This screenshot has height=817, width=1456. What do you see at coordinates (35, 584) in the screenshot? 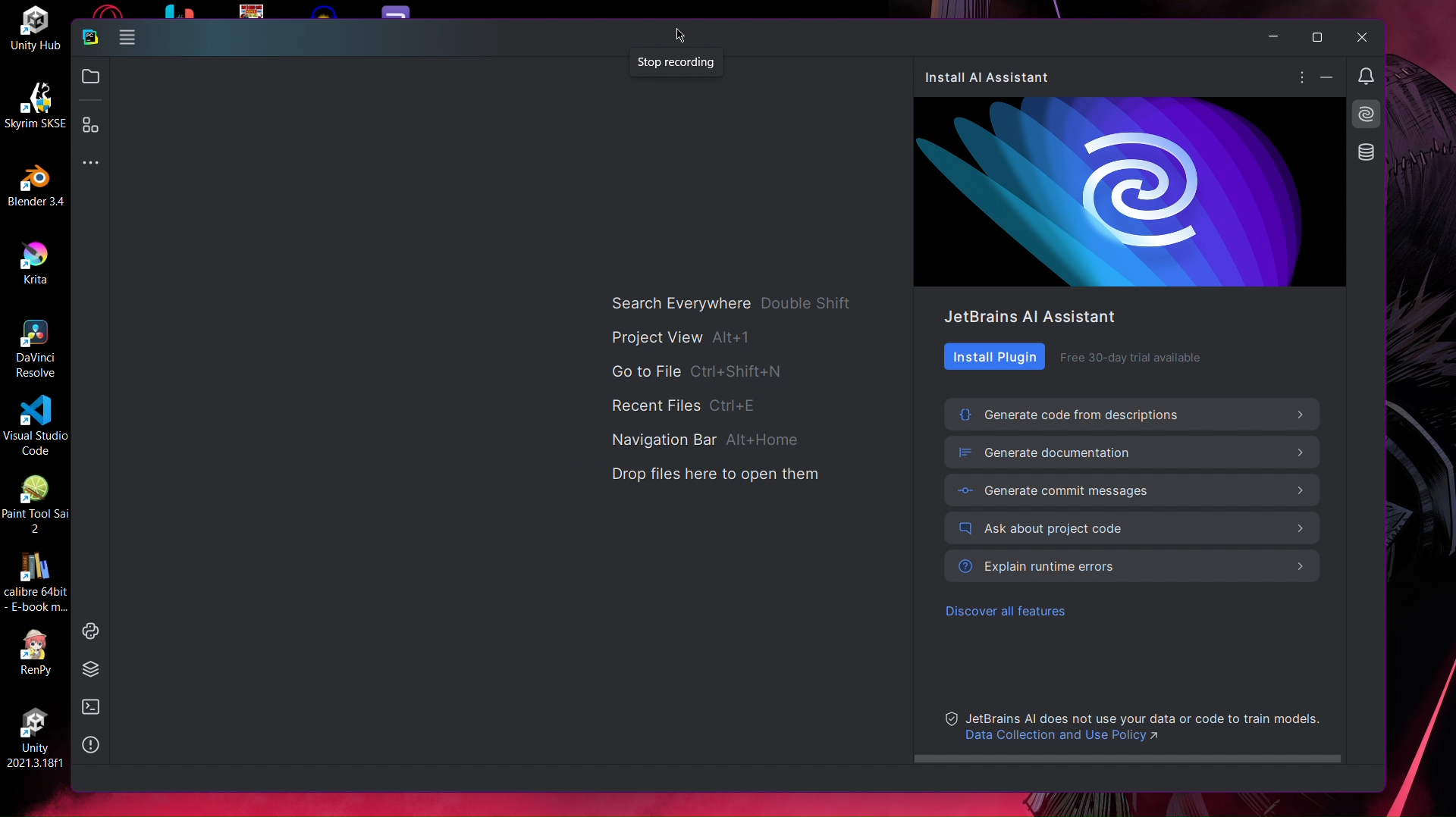
I see `Calibre 64bit` at bounding box center [35, 584].